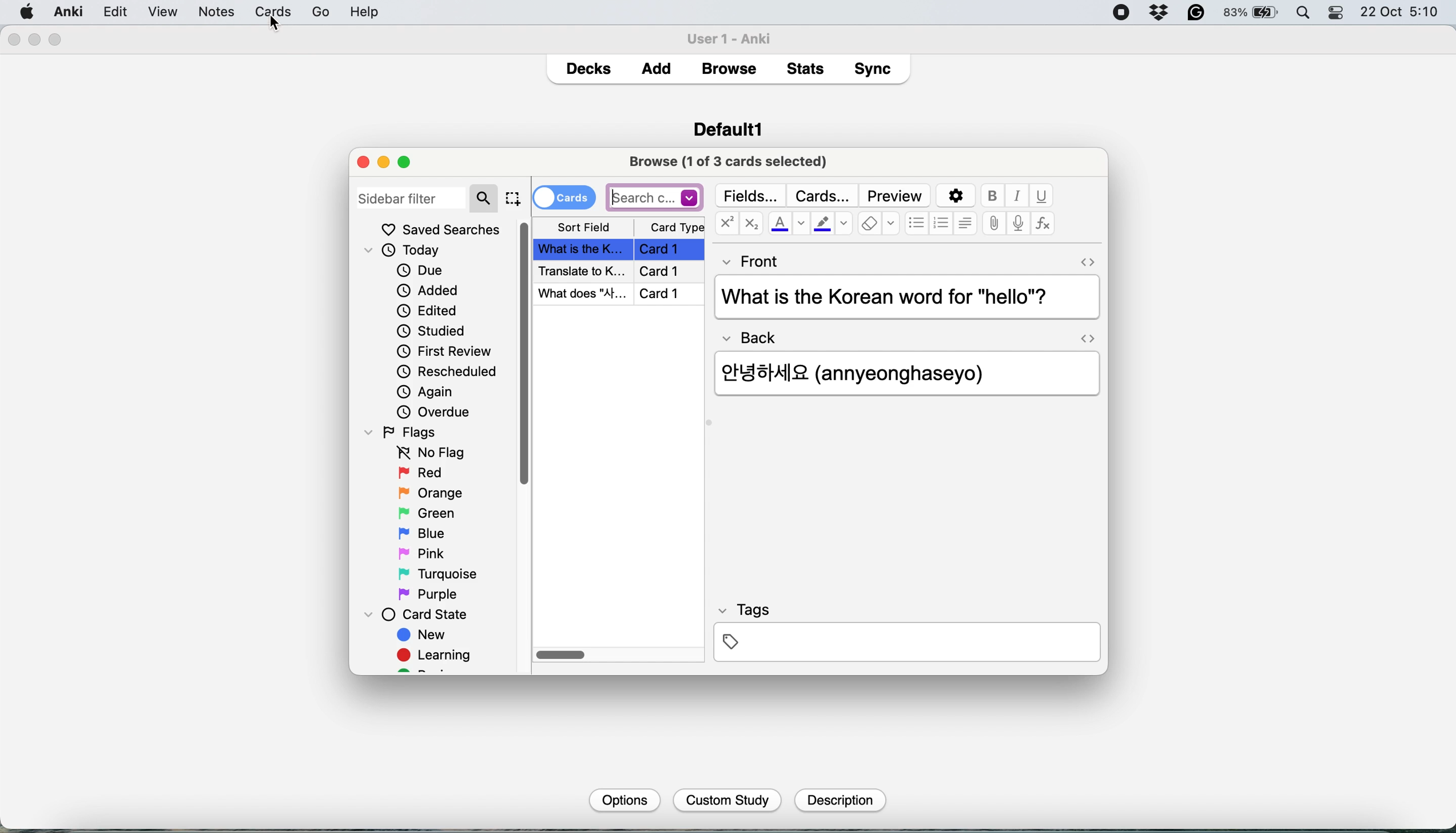 Image resolution: width=1456 pixels, height=833 pixels. I want to click on overdue, so click(432, 412).